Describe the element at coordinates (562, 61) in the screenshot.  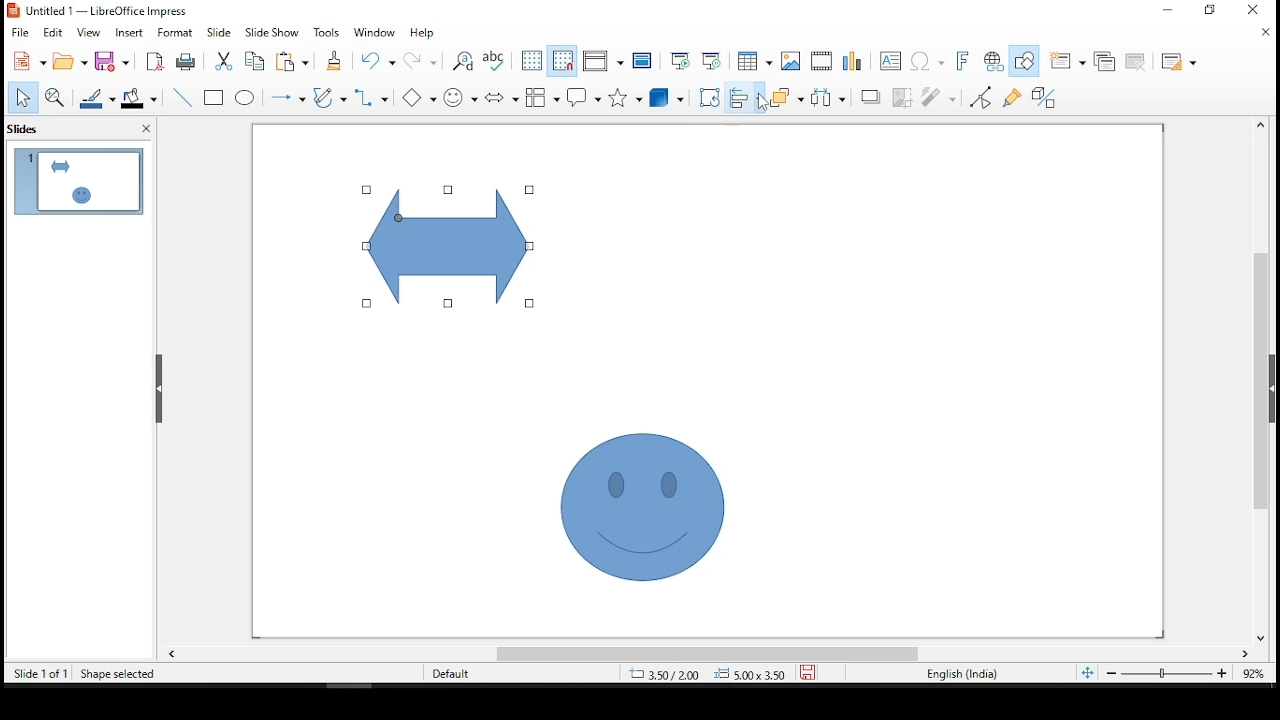
I see `snap to grid` at that location.